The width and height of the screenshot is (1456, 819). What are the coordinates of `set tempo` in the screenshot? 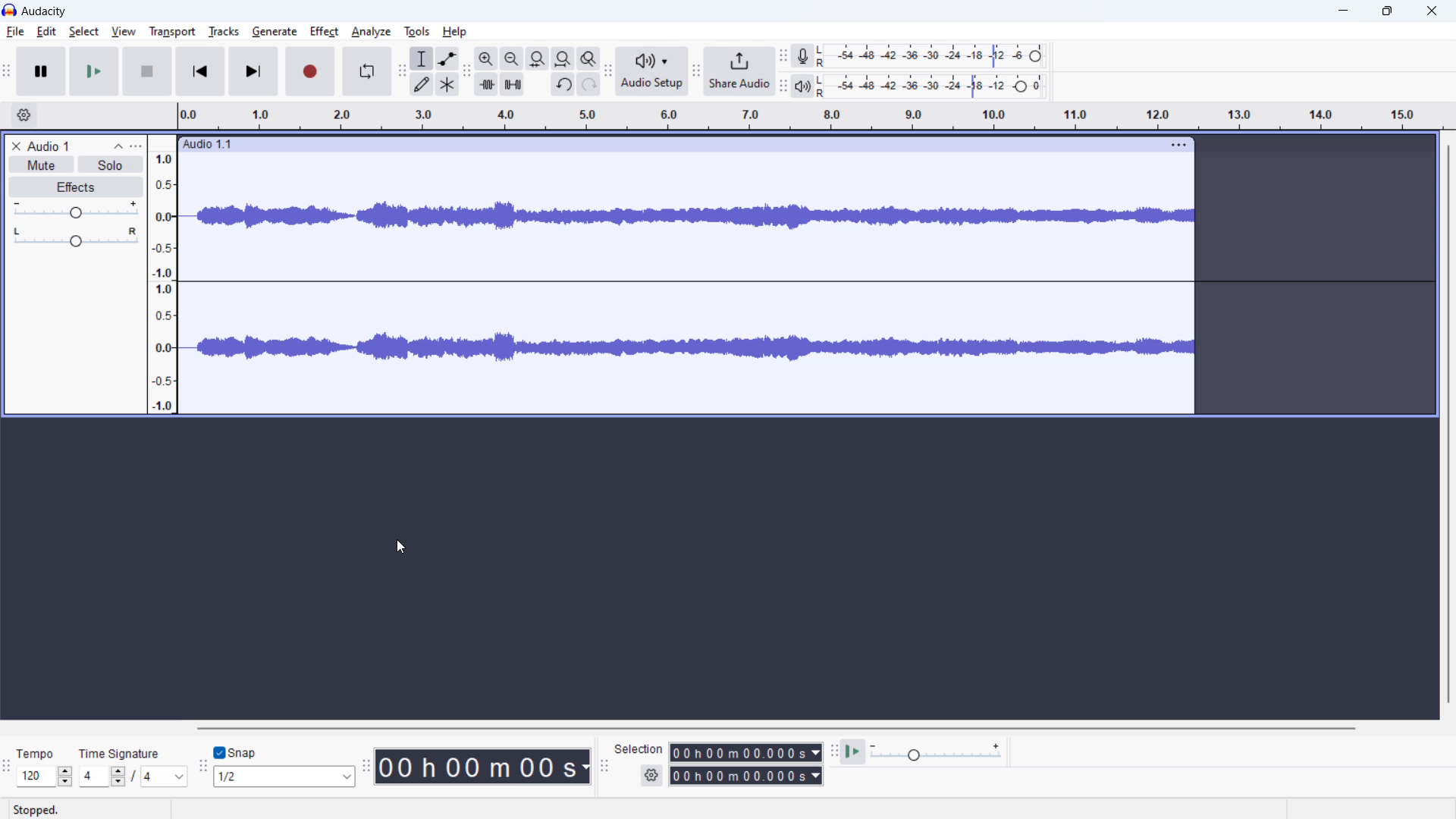 It's located at (44, 776).